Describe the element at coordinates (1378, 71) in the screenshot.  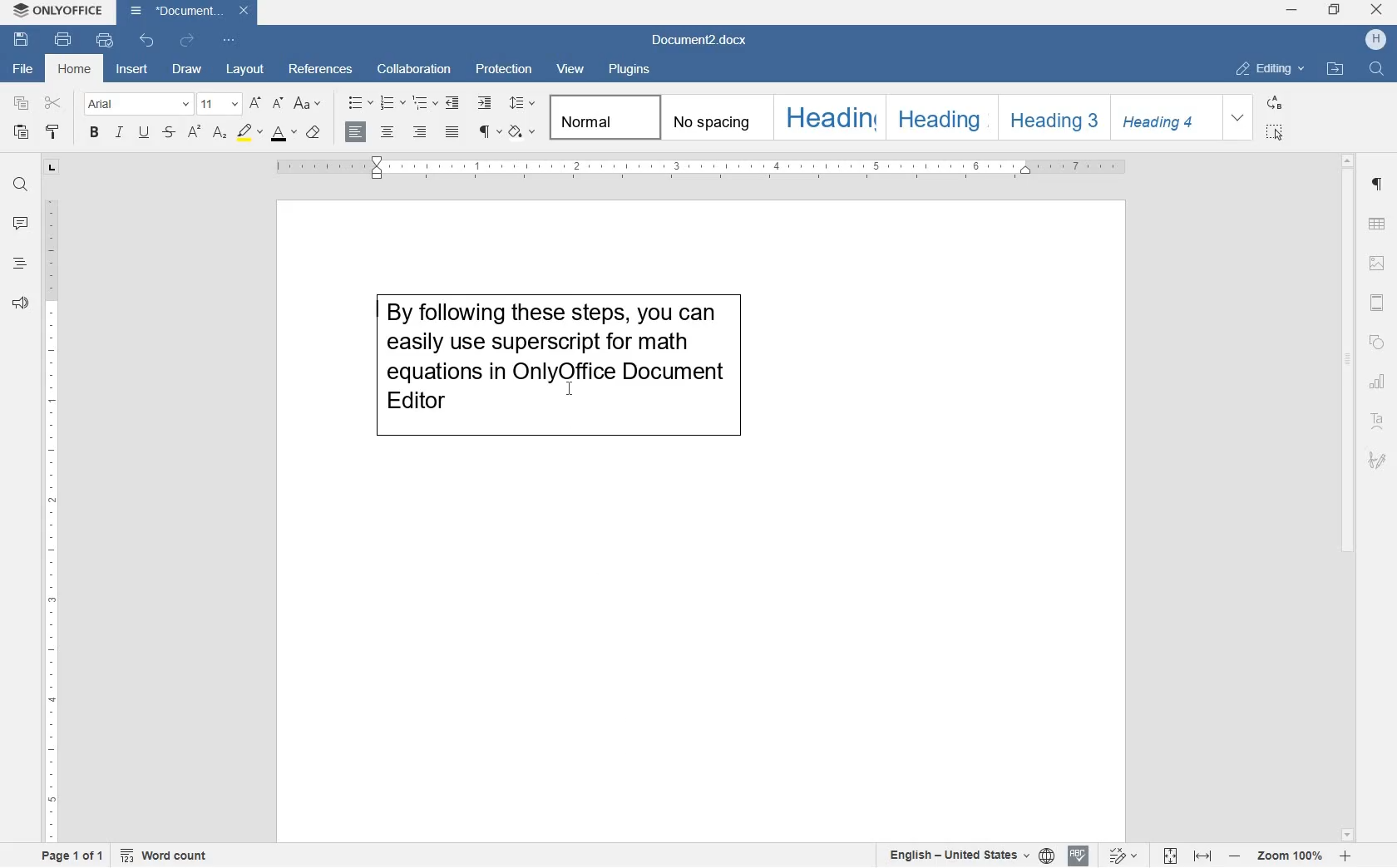
I see `FIND` at that location.